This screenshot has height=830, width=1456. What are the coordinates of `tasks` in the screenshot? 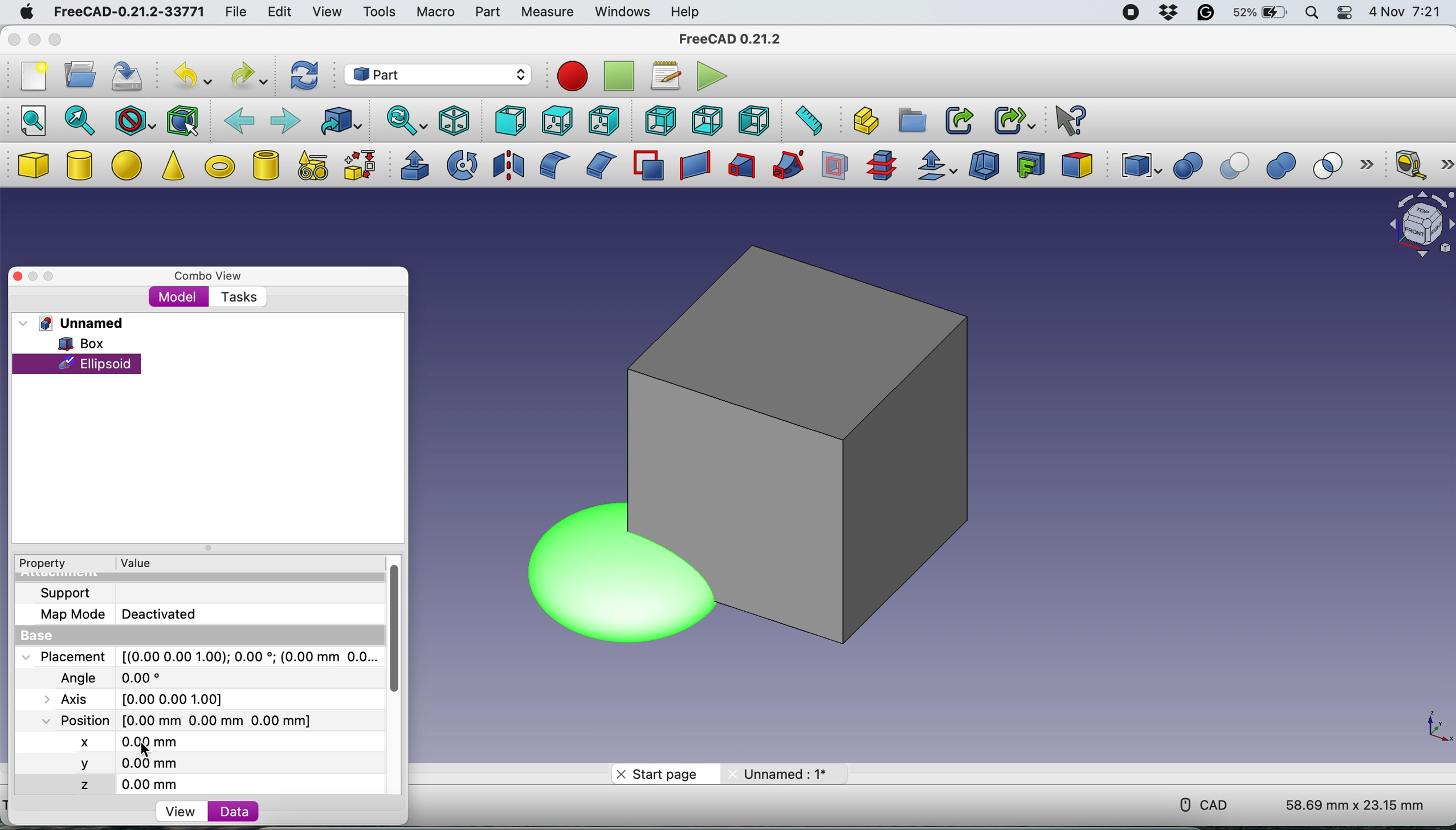 It's located at (236, 297).